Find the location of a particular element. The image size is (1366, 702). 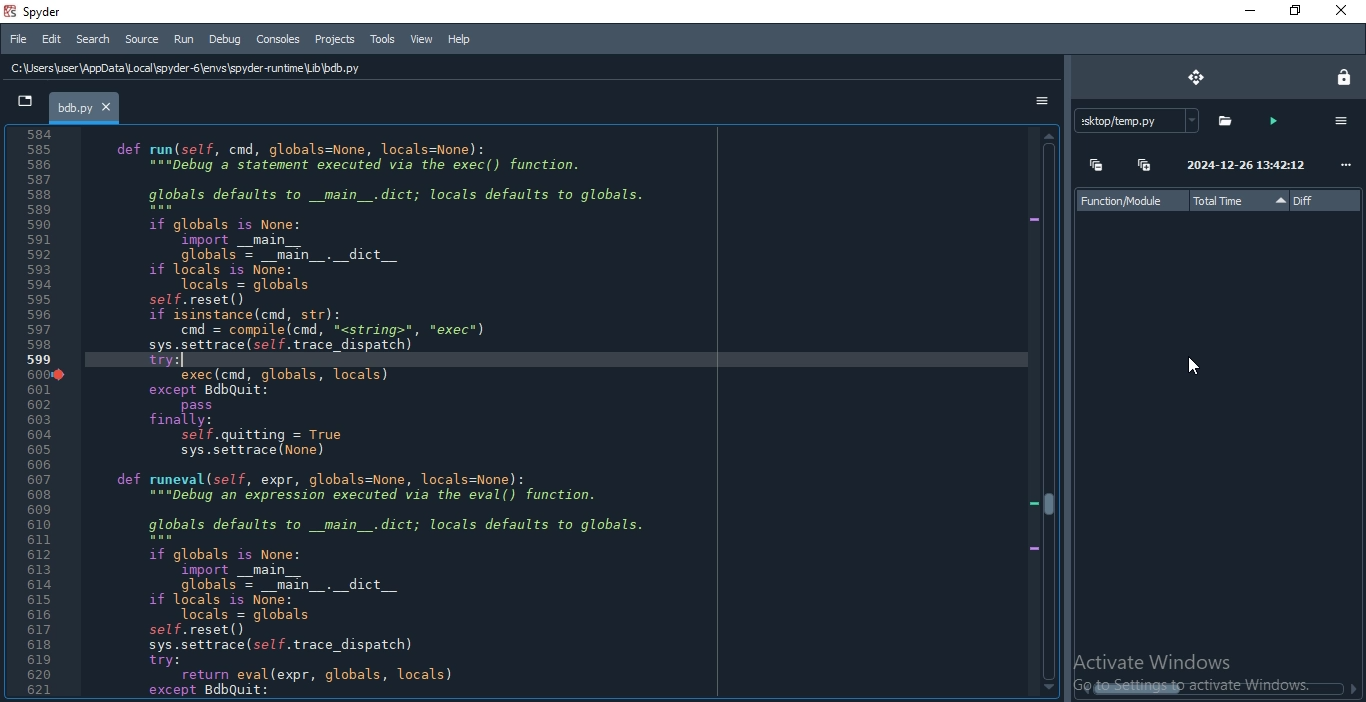

spyder is located at coordinates (46, 11).